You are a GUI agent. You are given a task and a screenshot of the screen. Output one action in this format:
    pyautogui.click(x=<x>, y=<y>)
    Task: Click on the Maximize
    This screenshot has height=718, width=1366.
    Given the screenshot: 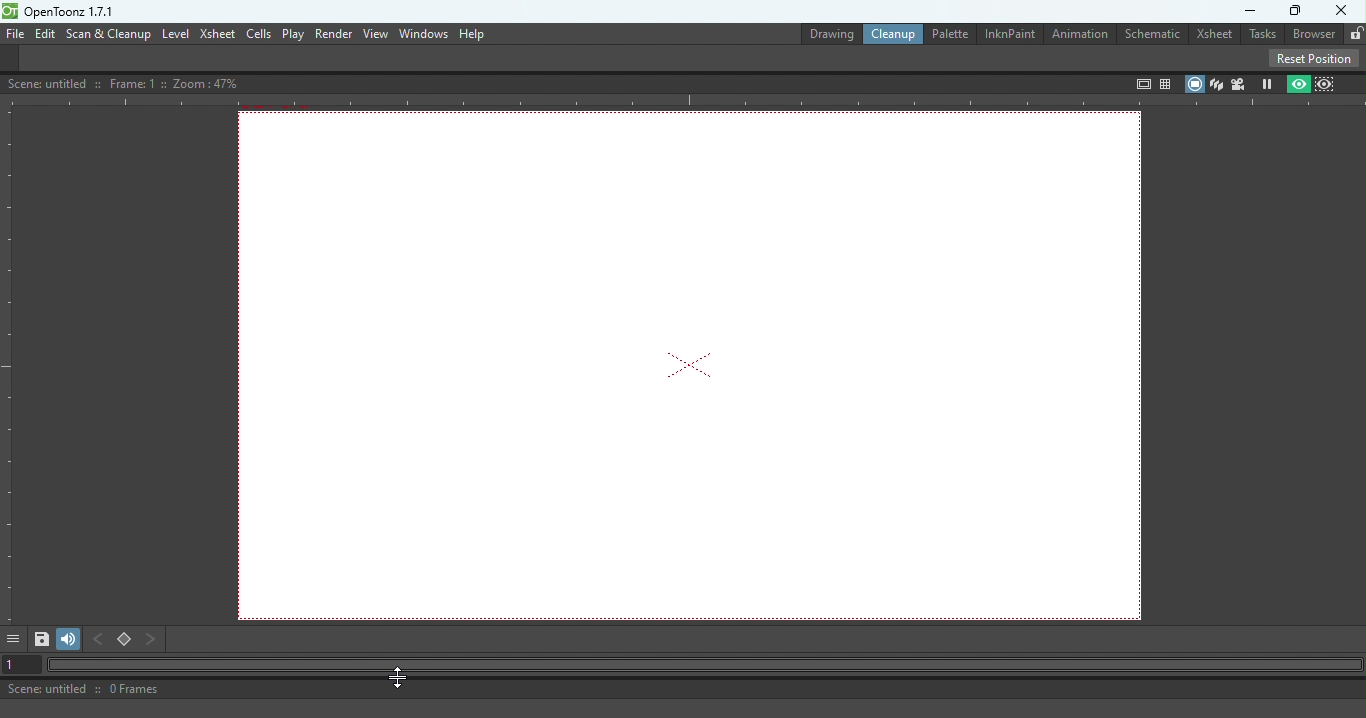 What is the action you would take?
    pyautogui.click(x=1296, y=11)
    